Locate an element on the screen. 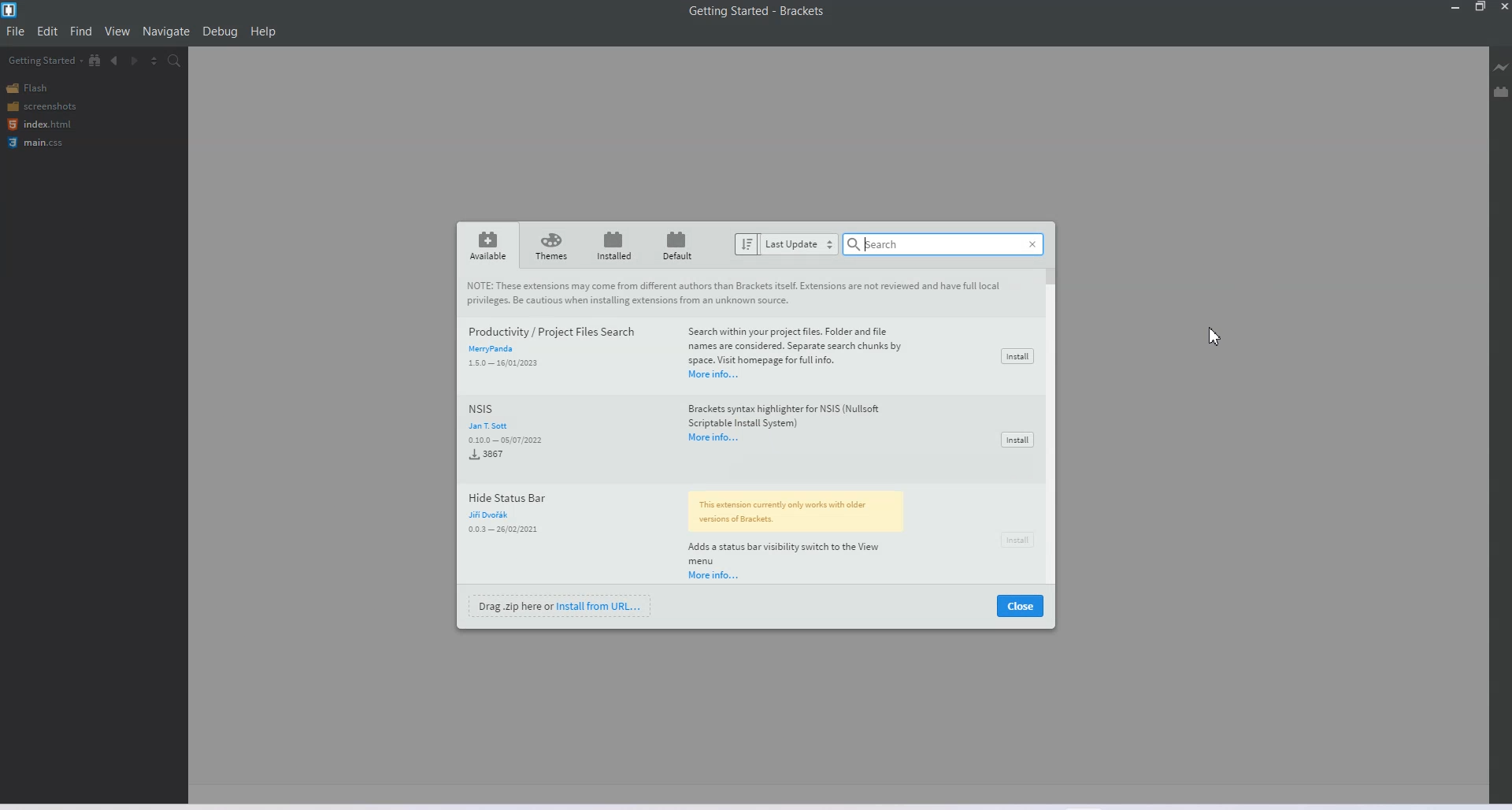 Image resolution: width=1512 pixels, height=810 pixels. available is located at coordinates (488, 243).